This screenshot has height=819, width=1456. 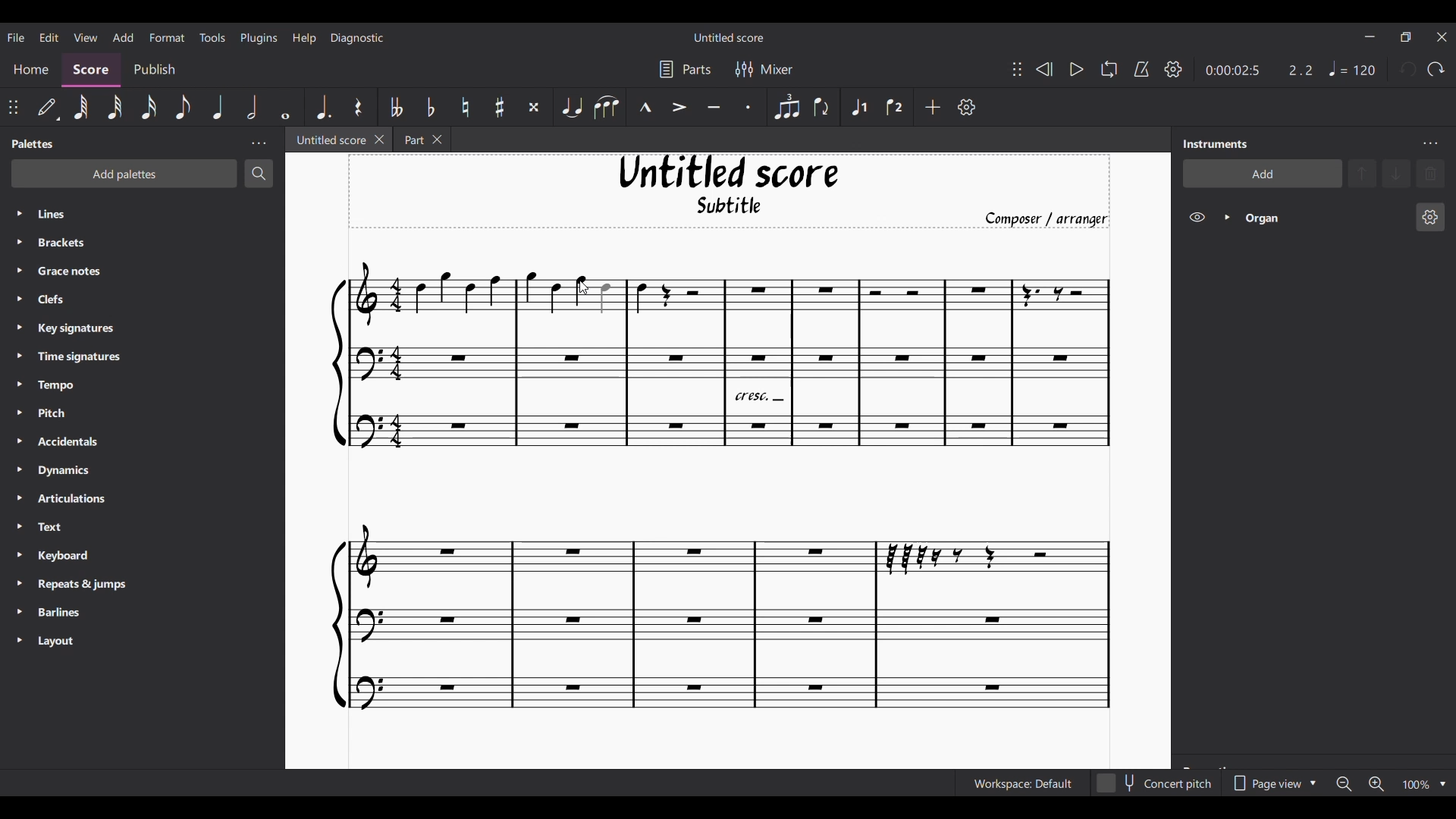 What do you see at coordinates (679, 108) in the screenshot?
I see `Accent` at bounding box center [679, 108].